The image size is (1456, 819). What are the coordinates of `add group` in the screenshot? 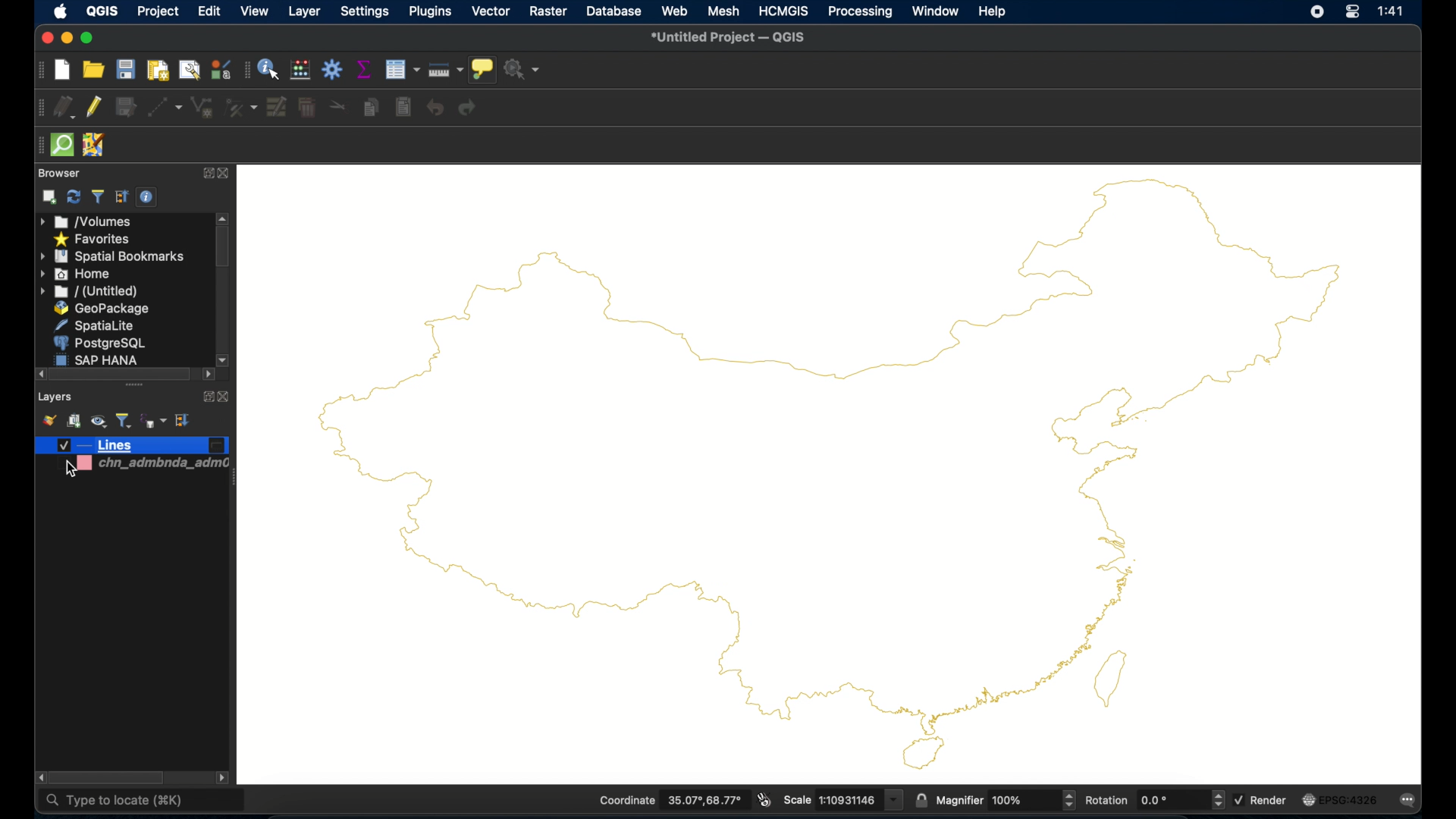 It's located at (74, 420).